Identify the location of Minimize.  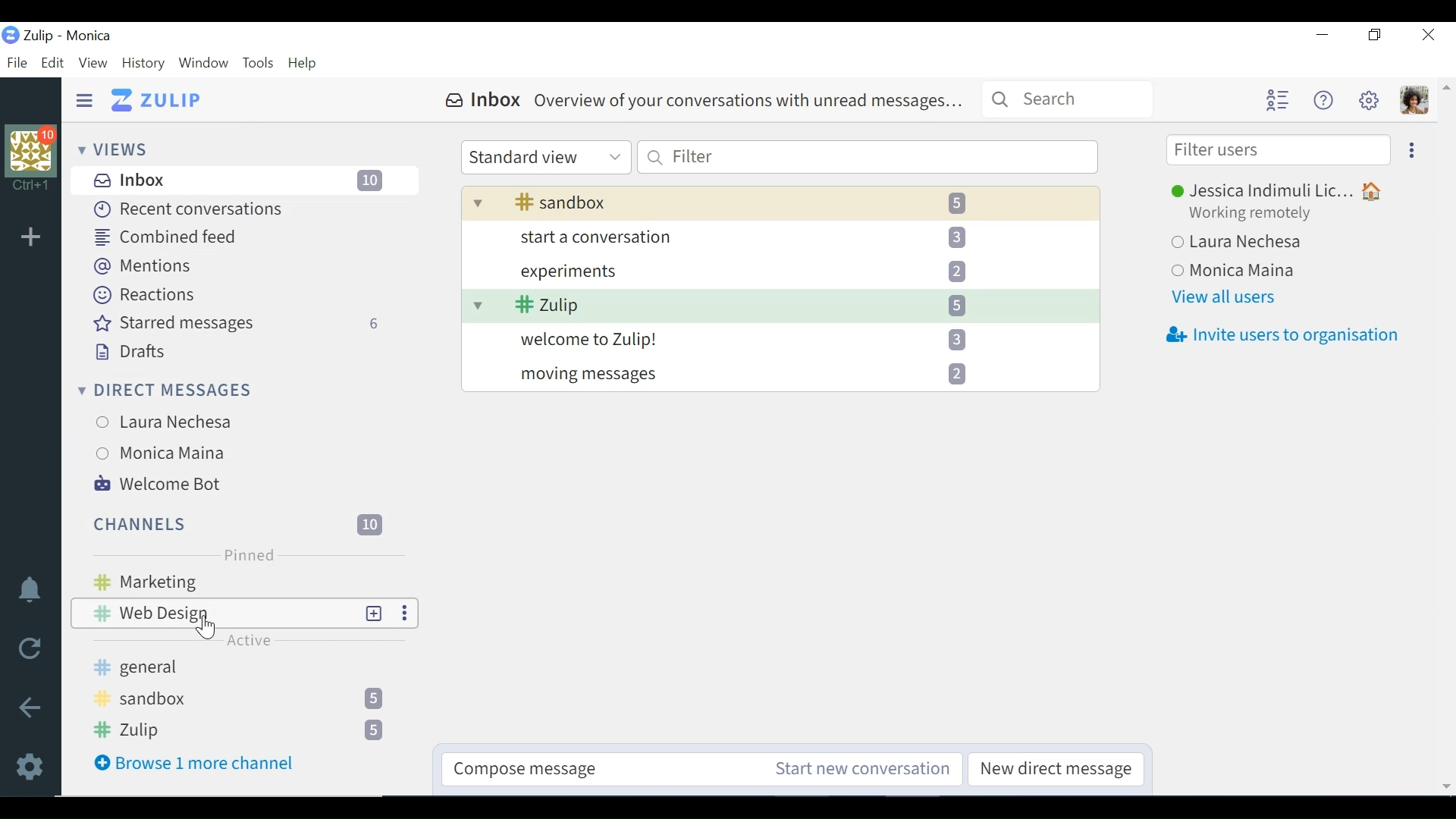
(1322, 36).